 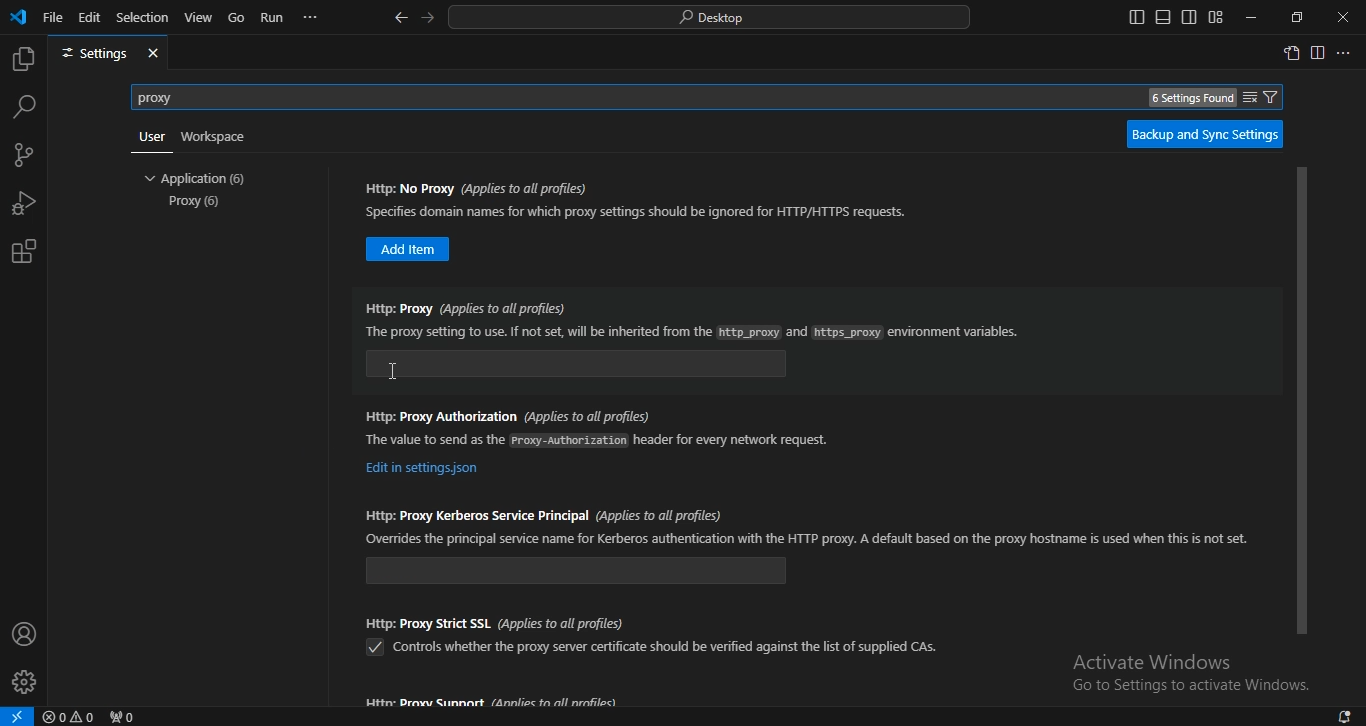 I want to click on https: proxy, so click(x=458, y=309).